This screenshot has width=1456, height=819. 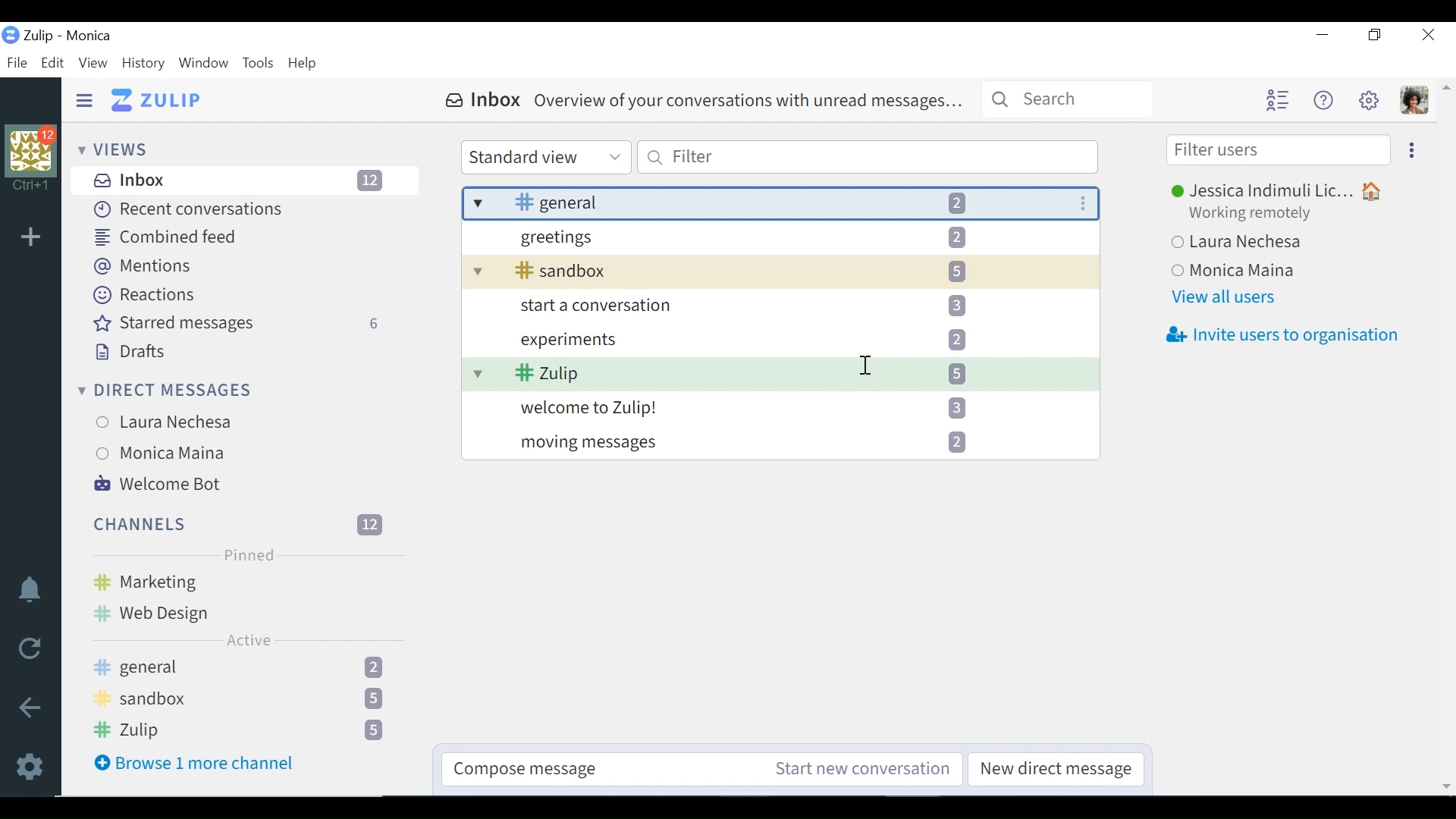 I want to click on moving messages 2], so click(x=762, y=443).